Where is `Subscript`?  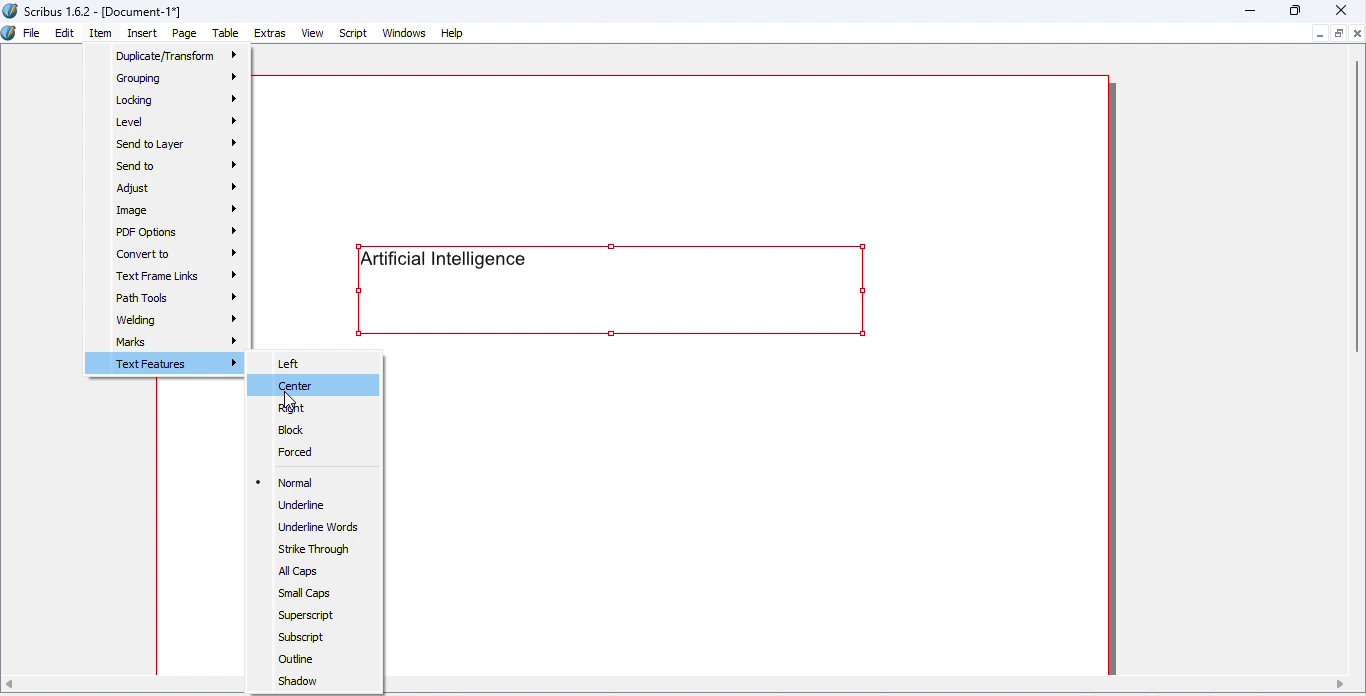
Subscript is located at coordinates (302, 639).